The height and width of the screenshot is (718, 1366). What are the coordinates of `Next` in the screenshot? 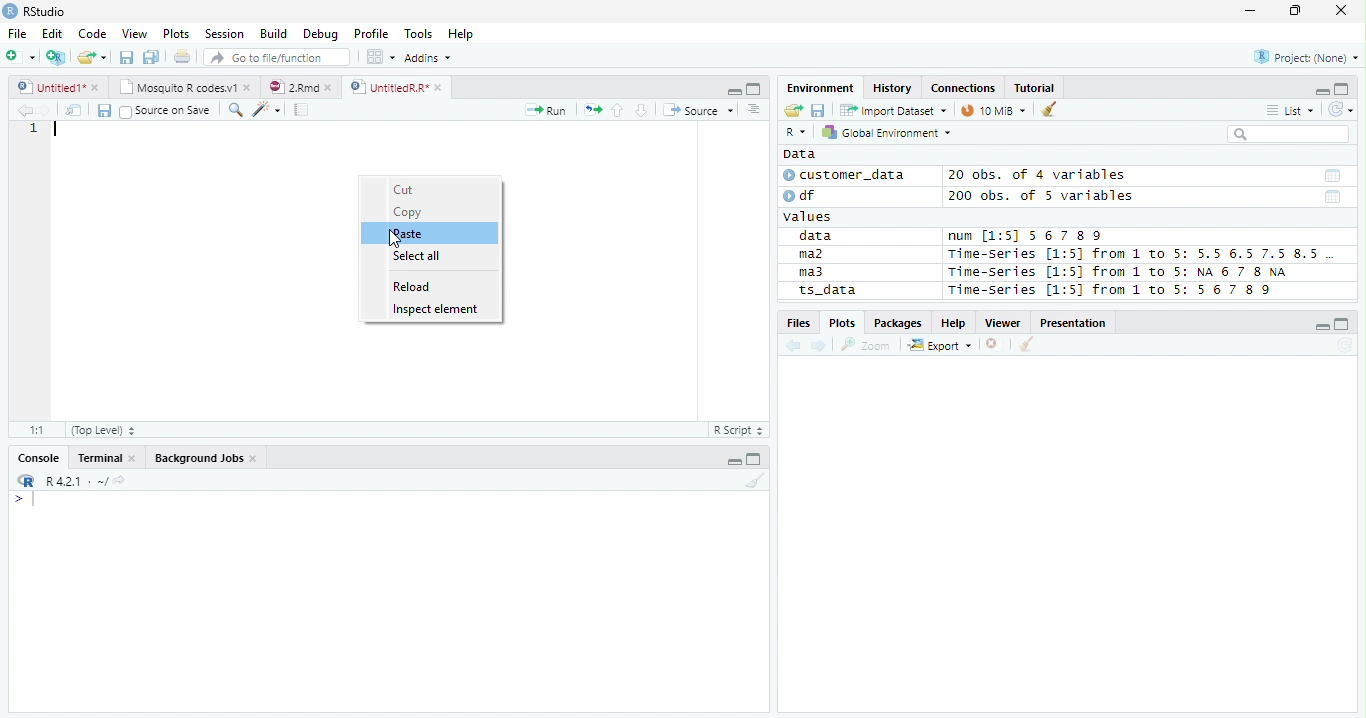 It's located at (45, 111).